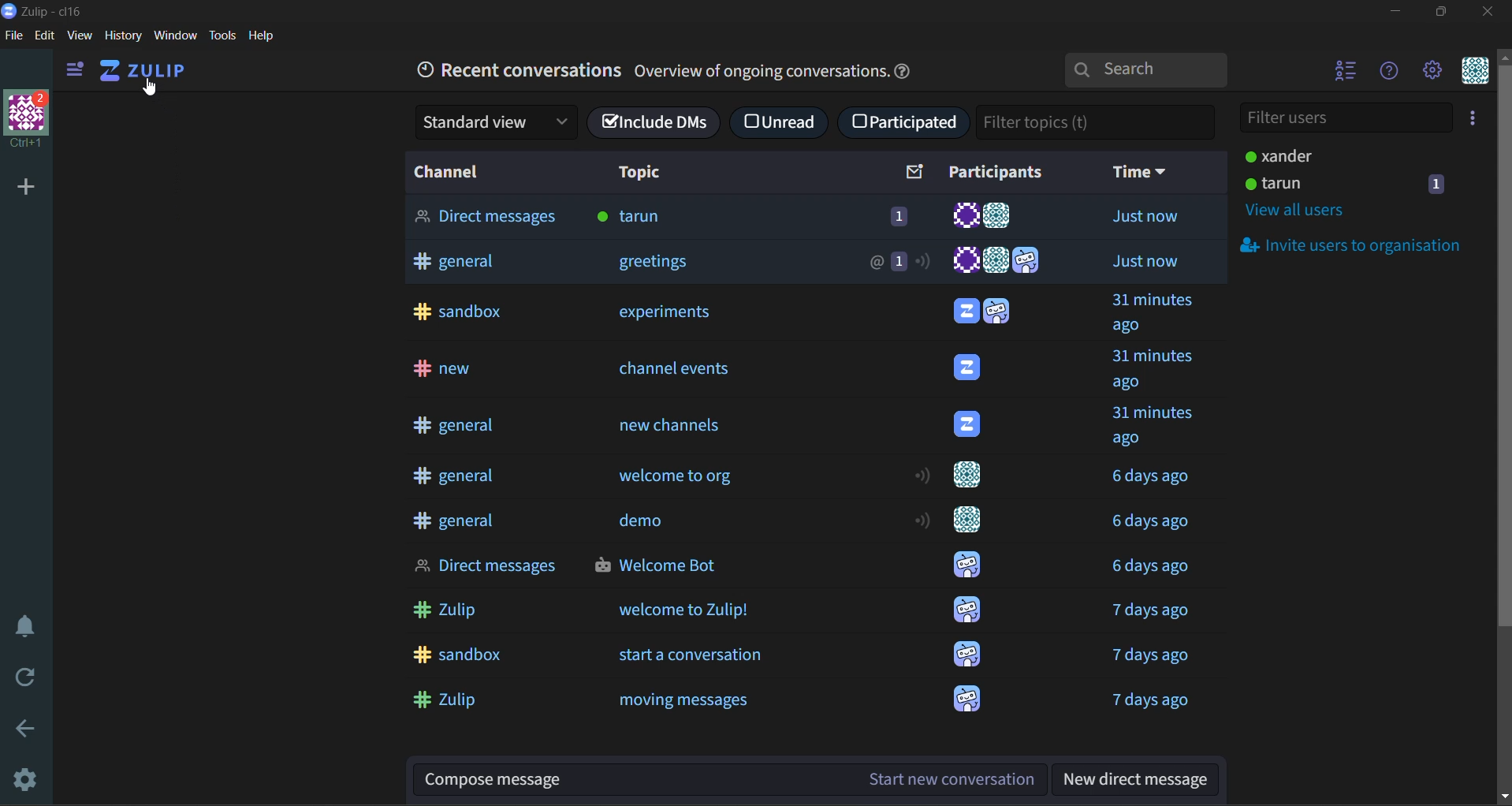 The image size is (1512, 806). Describe the element at coordinates (1294, 215) in the screenshot. I see `view all users` at that location.